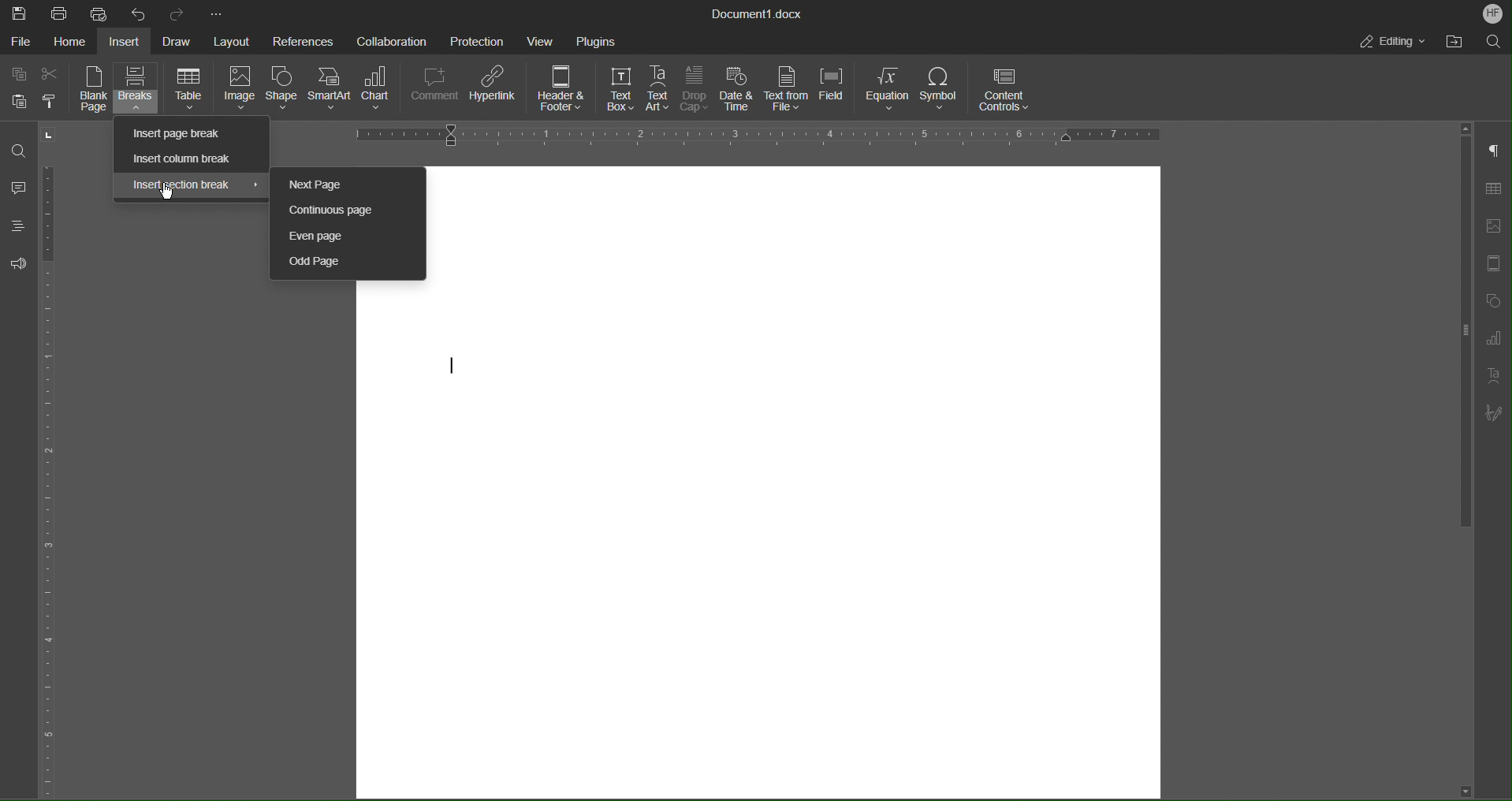  I want to click on View, so click(539, 39).